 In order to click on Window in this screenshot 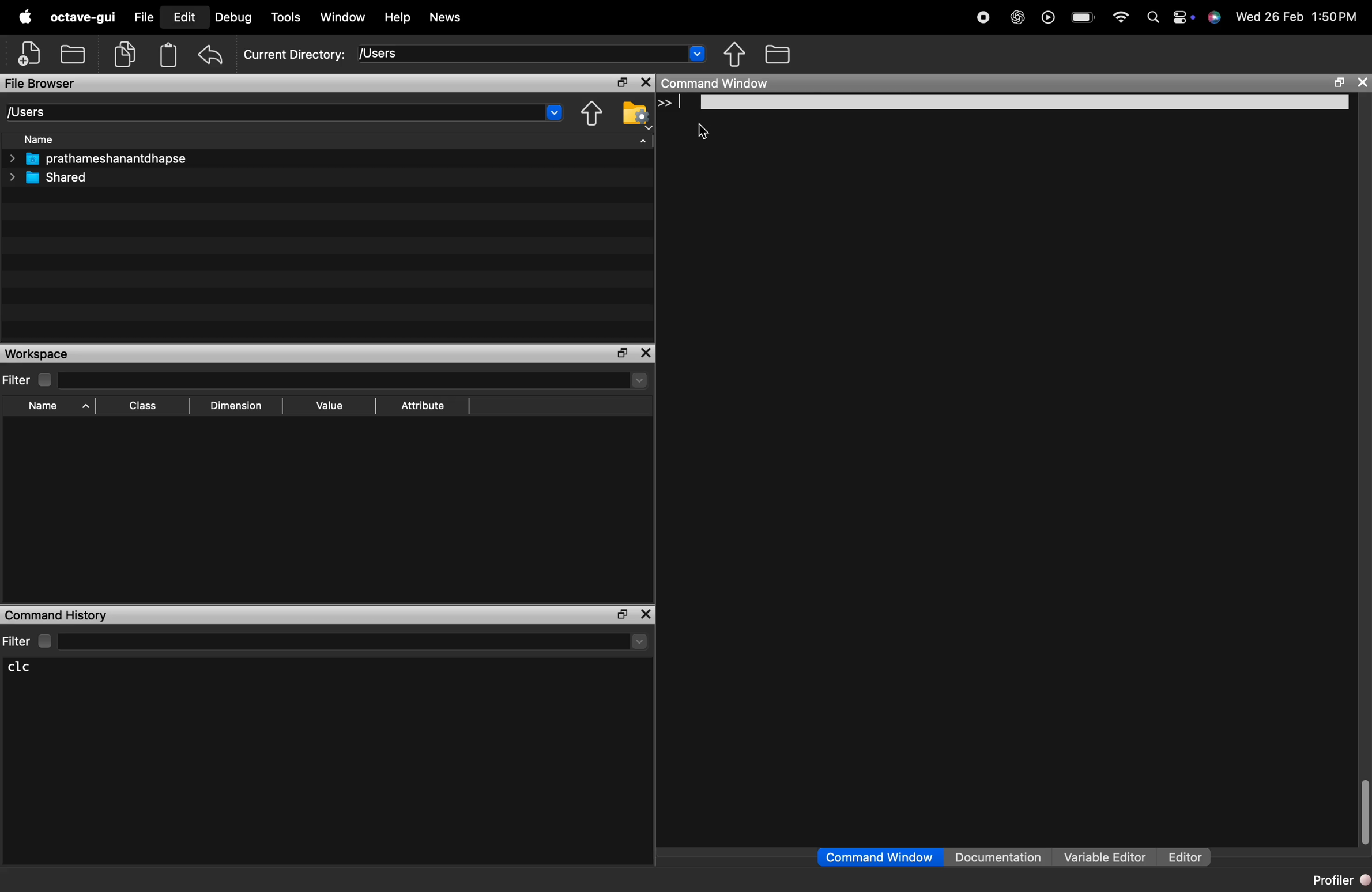, I will do `click(344, 17)`.